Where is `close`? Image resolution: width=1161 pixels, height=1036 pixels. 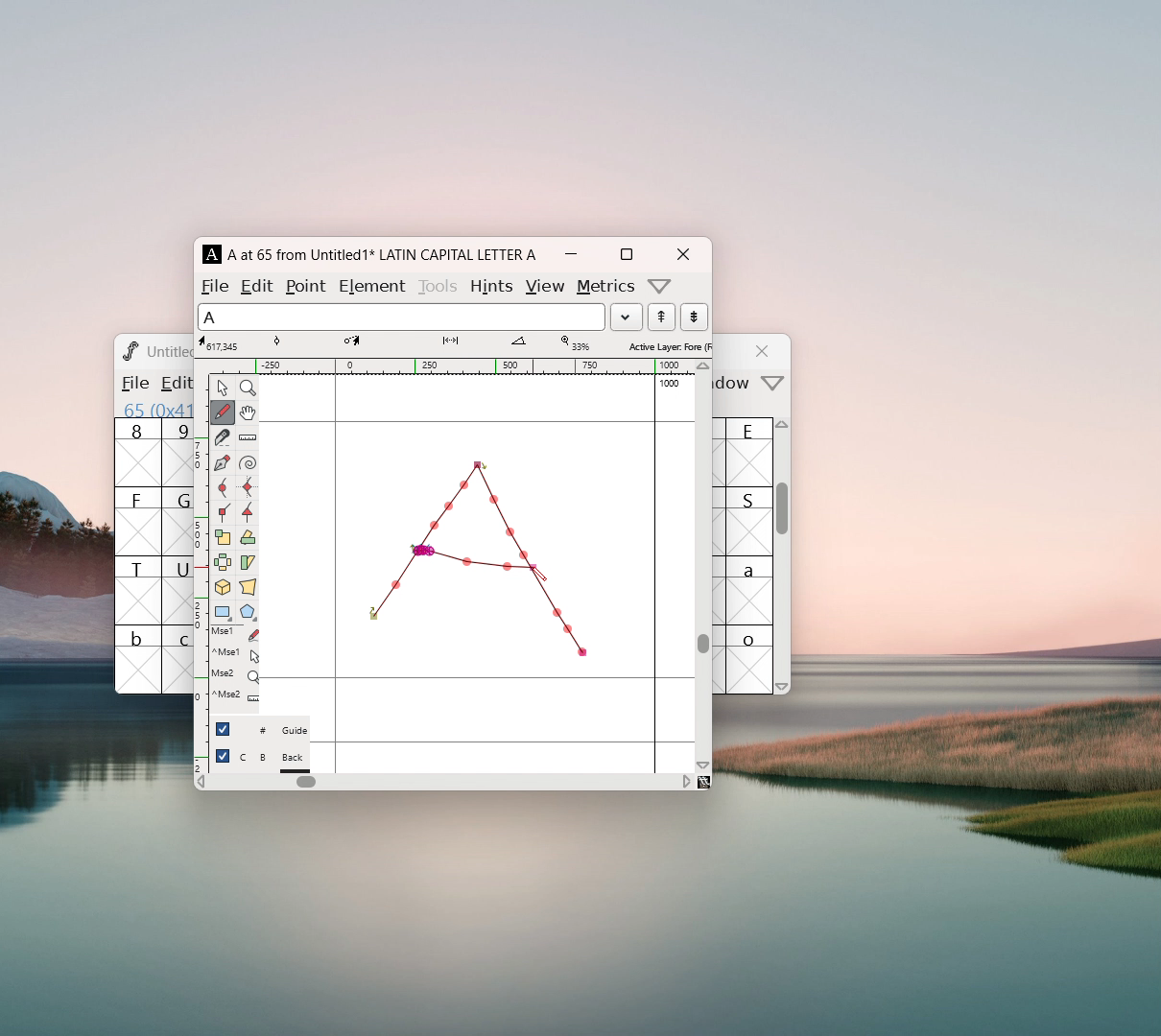 close is located at coordinates (765, 351).